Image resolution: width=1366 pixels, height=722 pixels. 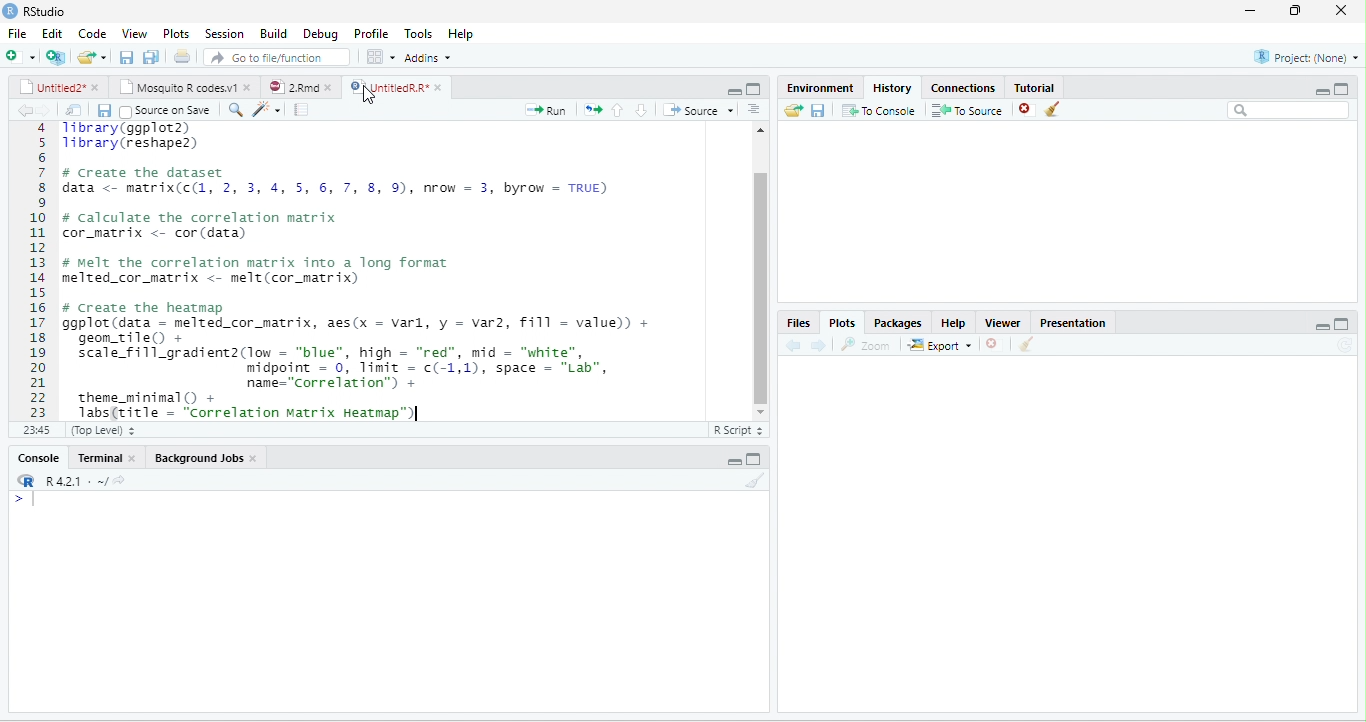 What do you see at coordinates (128, 56) in the screenshot?
I see `previous file saction` at bounding box center [128, 56].